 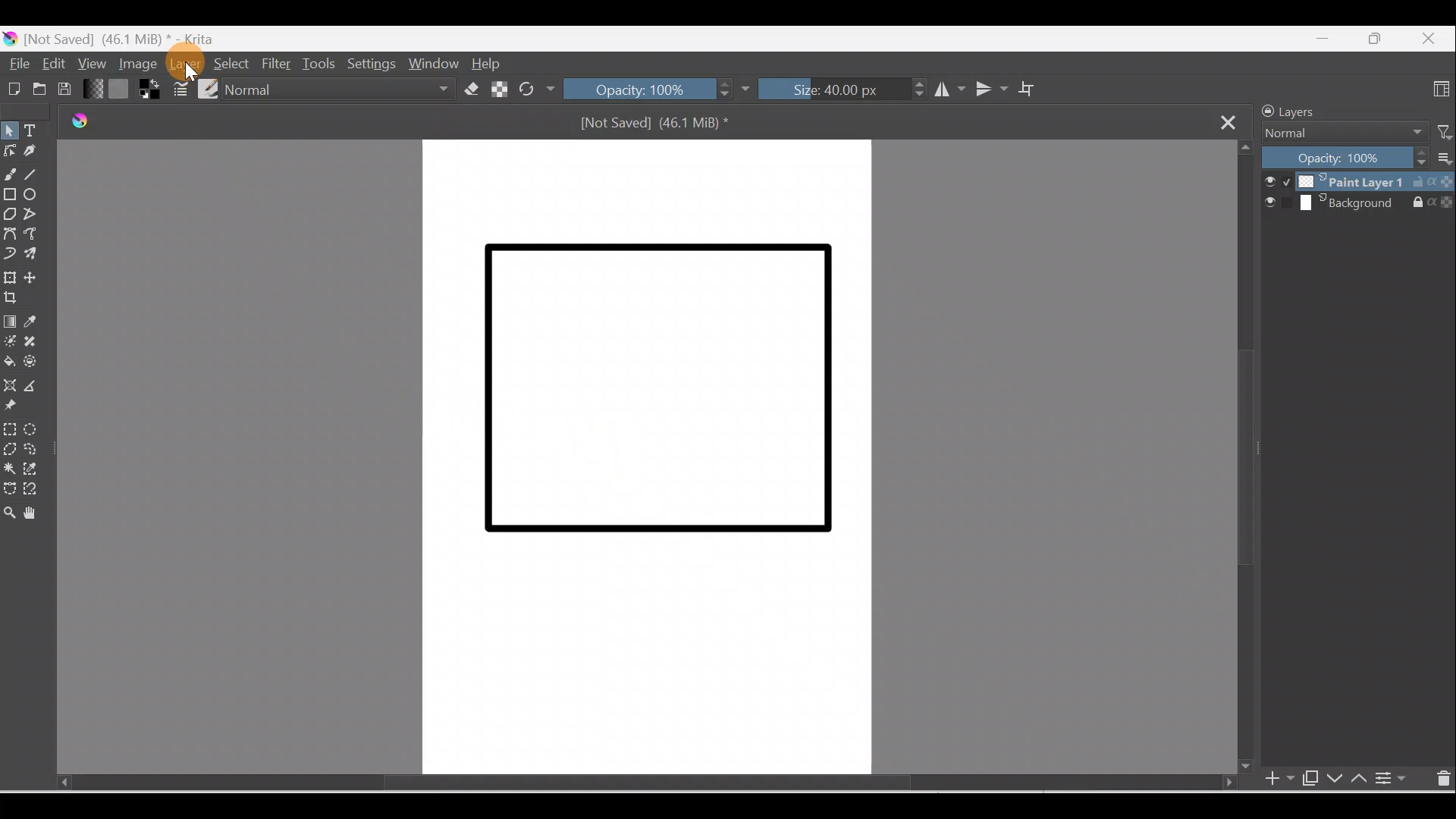 I want to click on [Not Saved] (46.1 MiB), so click(x=660, y=127).